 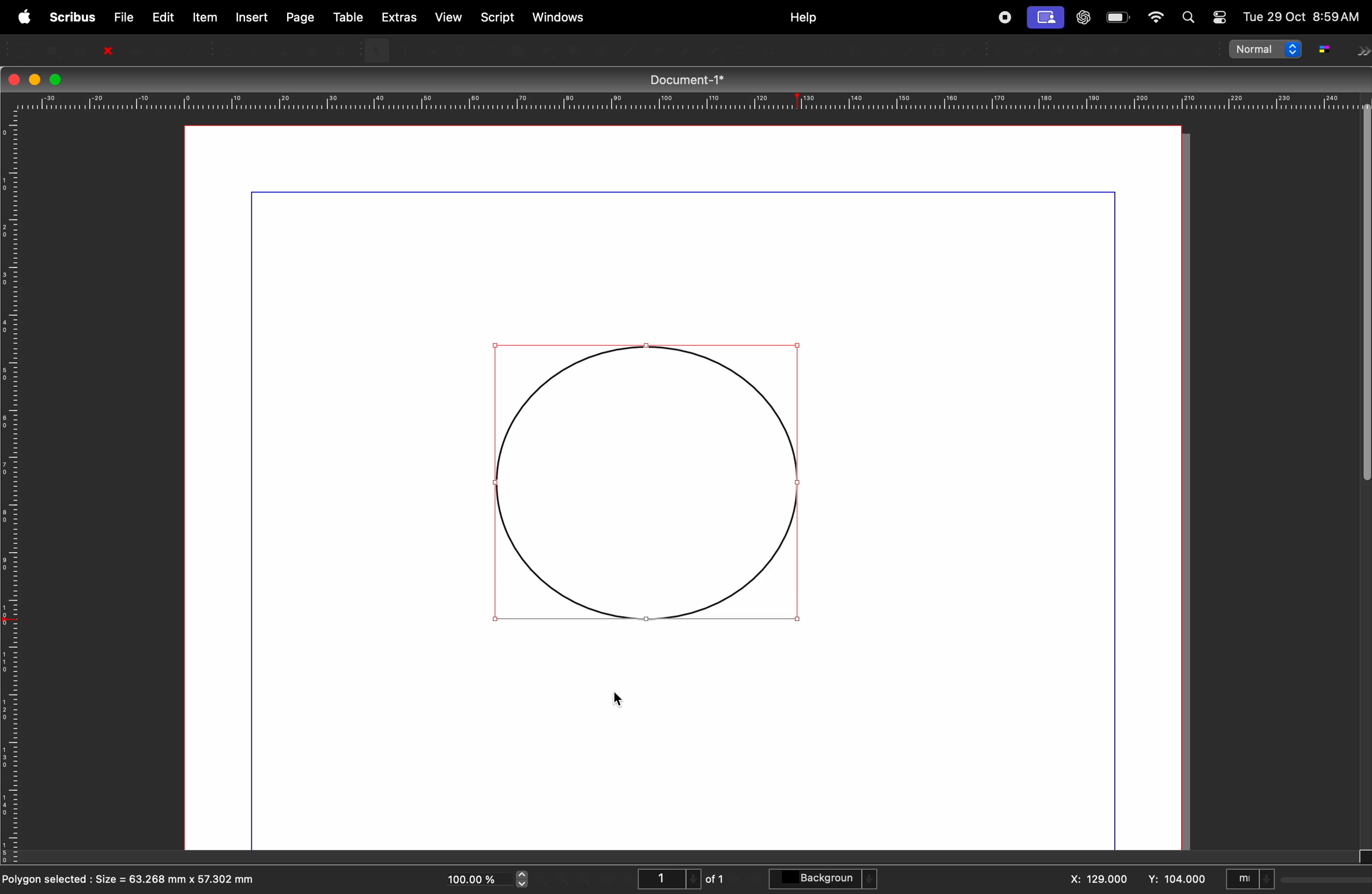 I want to click on help, so click(x=803, y=18).